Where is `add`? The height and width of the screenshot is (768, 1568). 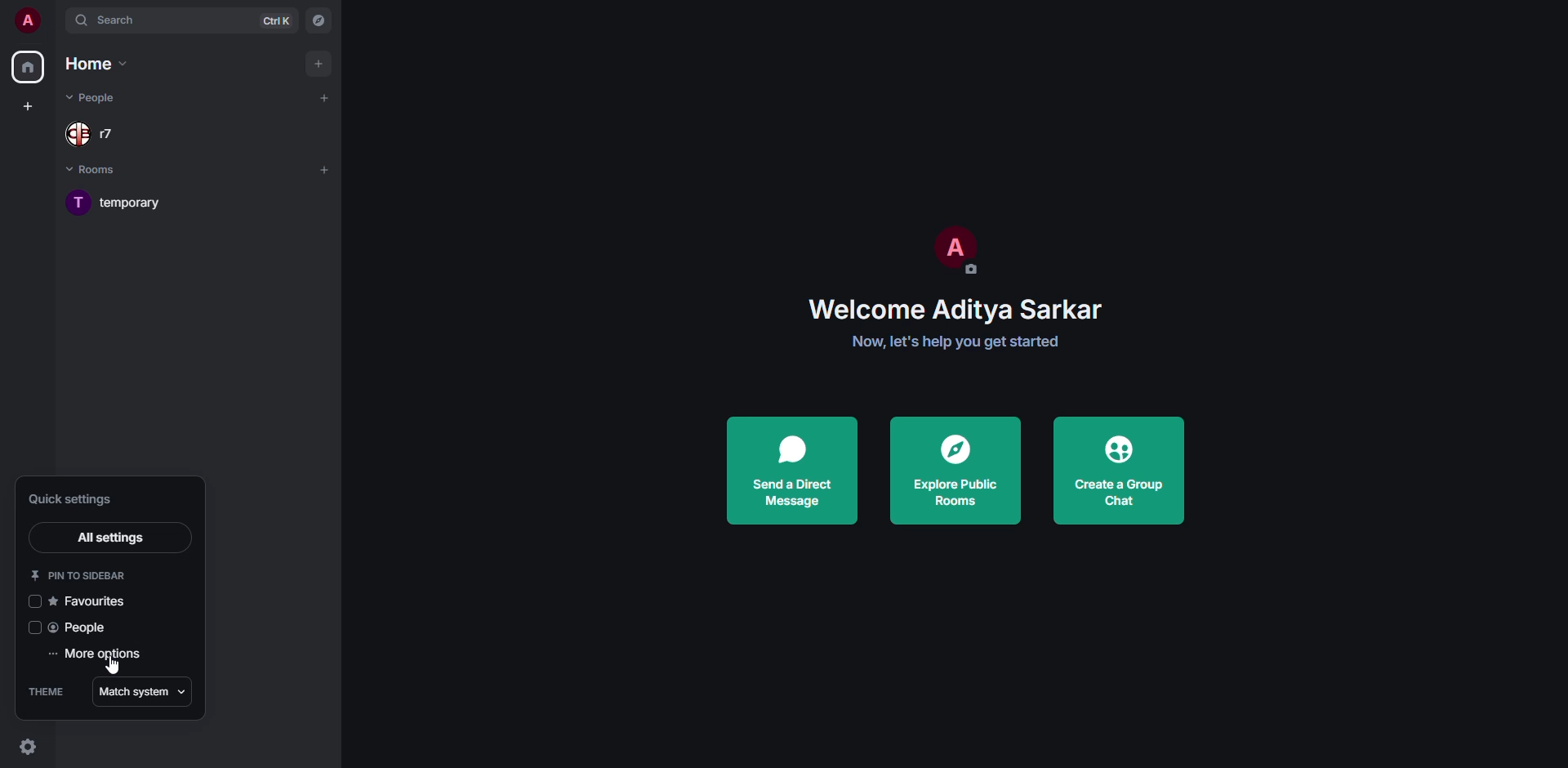 add is located at coordinates (318, 61).